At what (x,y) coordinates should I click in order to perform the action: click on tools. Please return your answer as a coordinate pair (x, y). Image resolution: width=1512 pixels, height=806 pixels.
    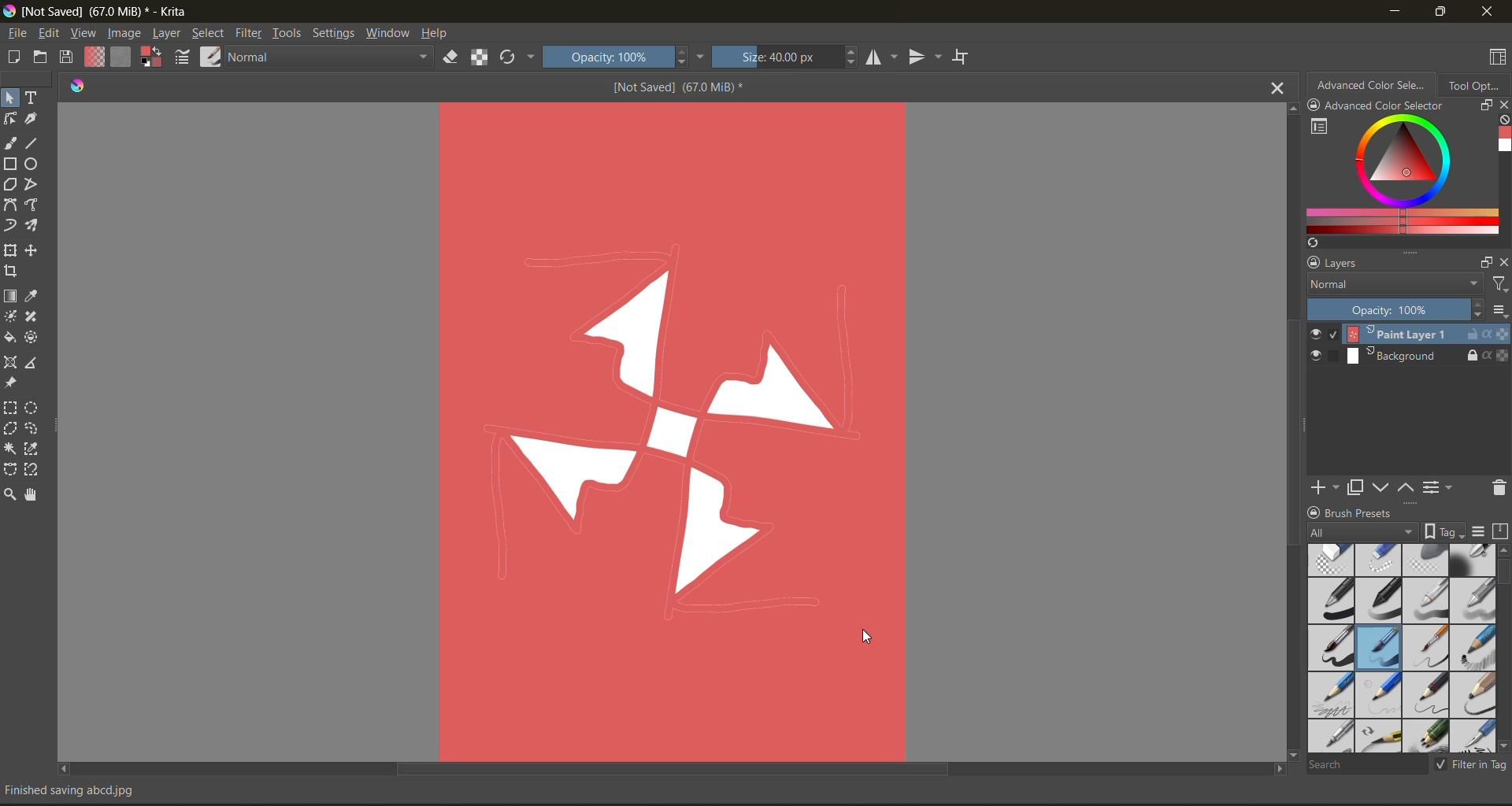
    Looking at the image, I should click on (33, 165).